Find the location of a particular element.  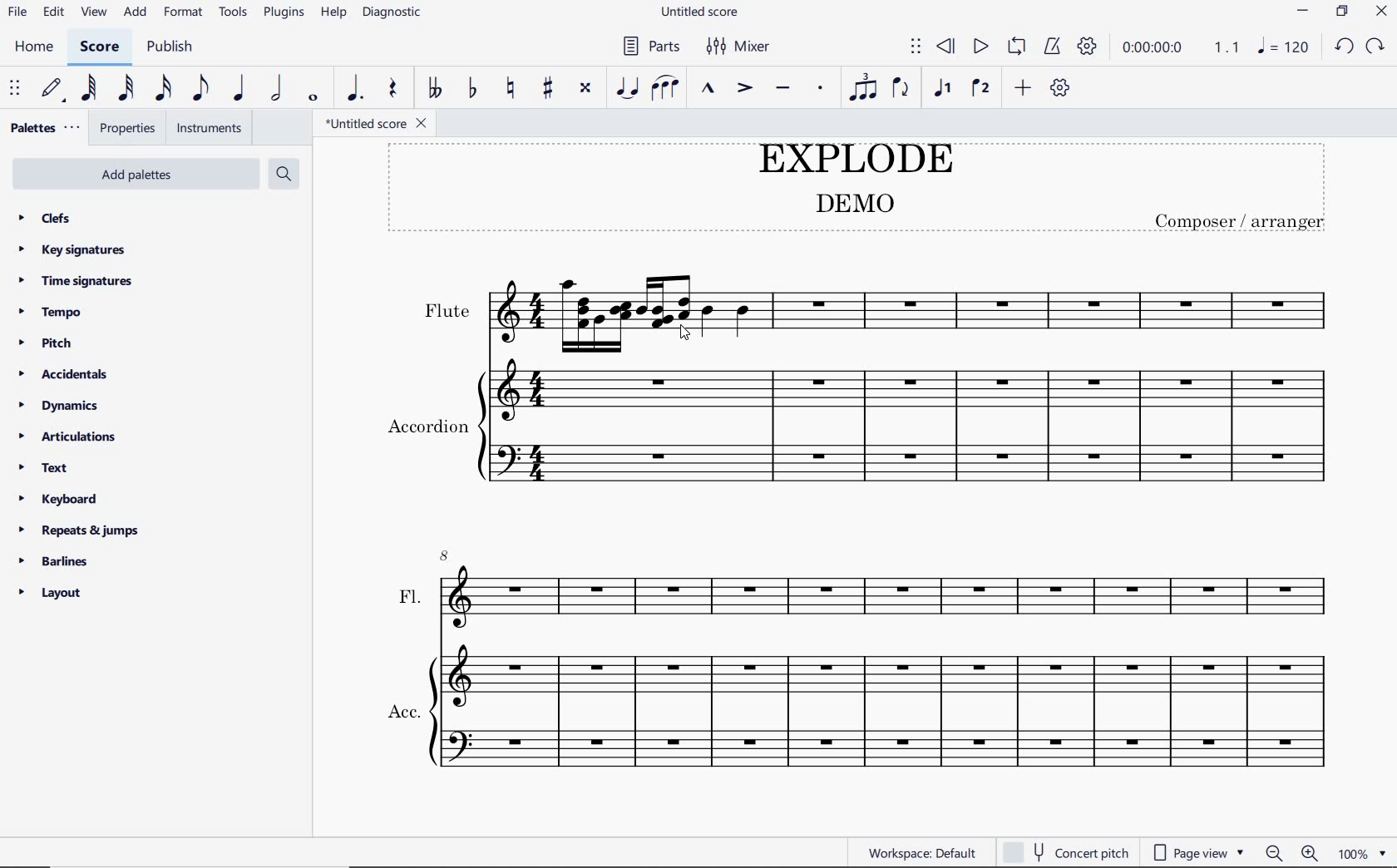

marcato is located at coordinates (707, 89).